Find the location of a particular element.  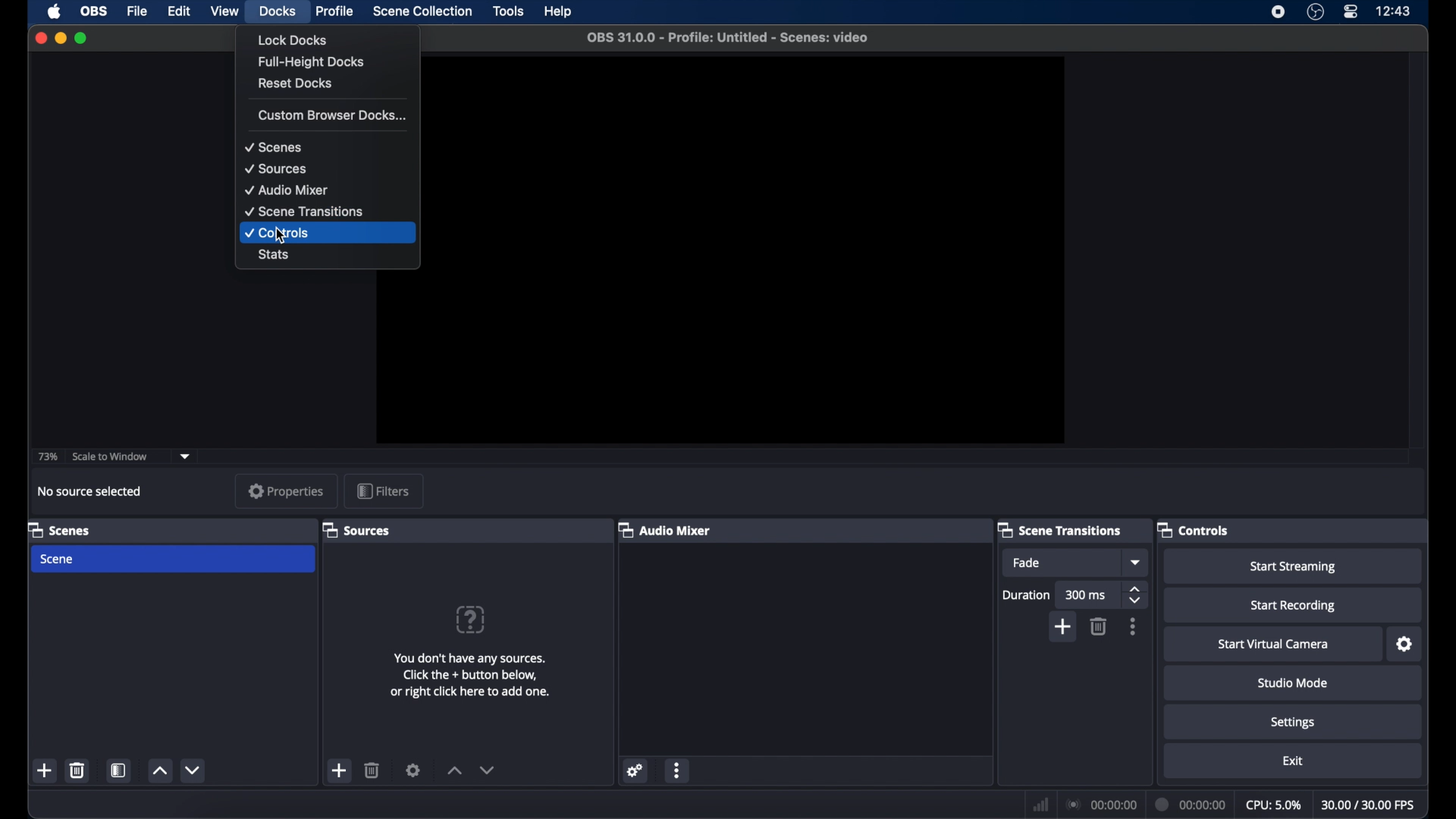

add is located at coordinates (340, 772).